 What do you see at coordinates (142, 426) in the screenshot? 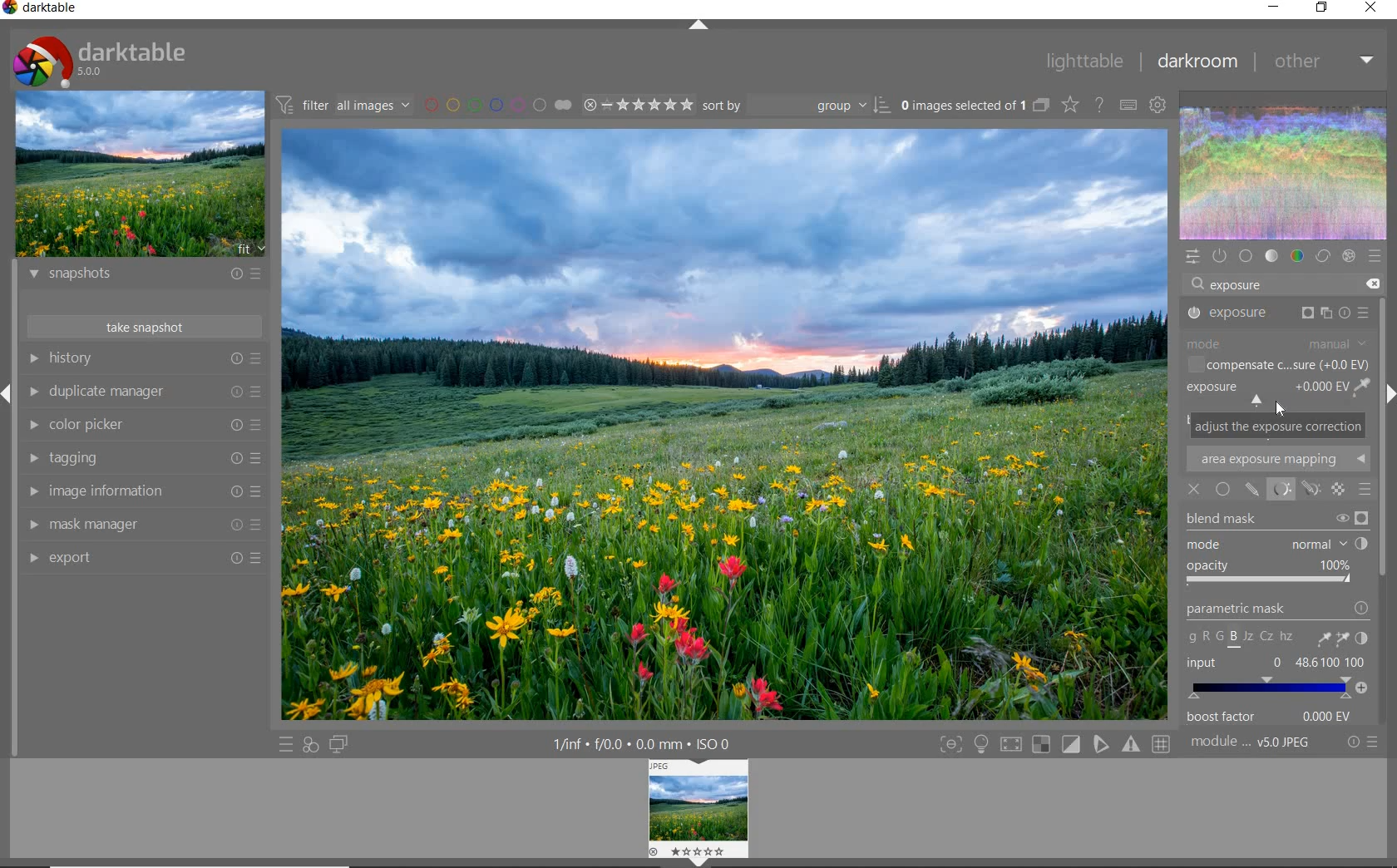
I see `color picker` at bounding box center [142, 426].